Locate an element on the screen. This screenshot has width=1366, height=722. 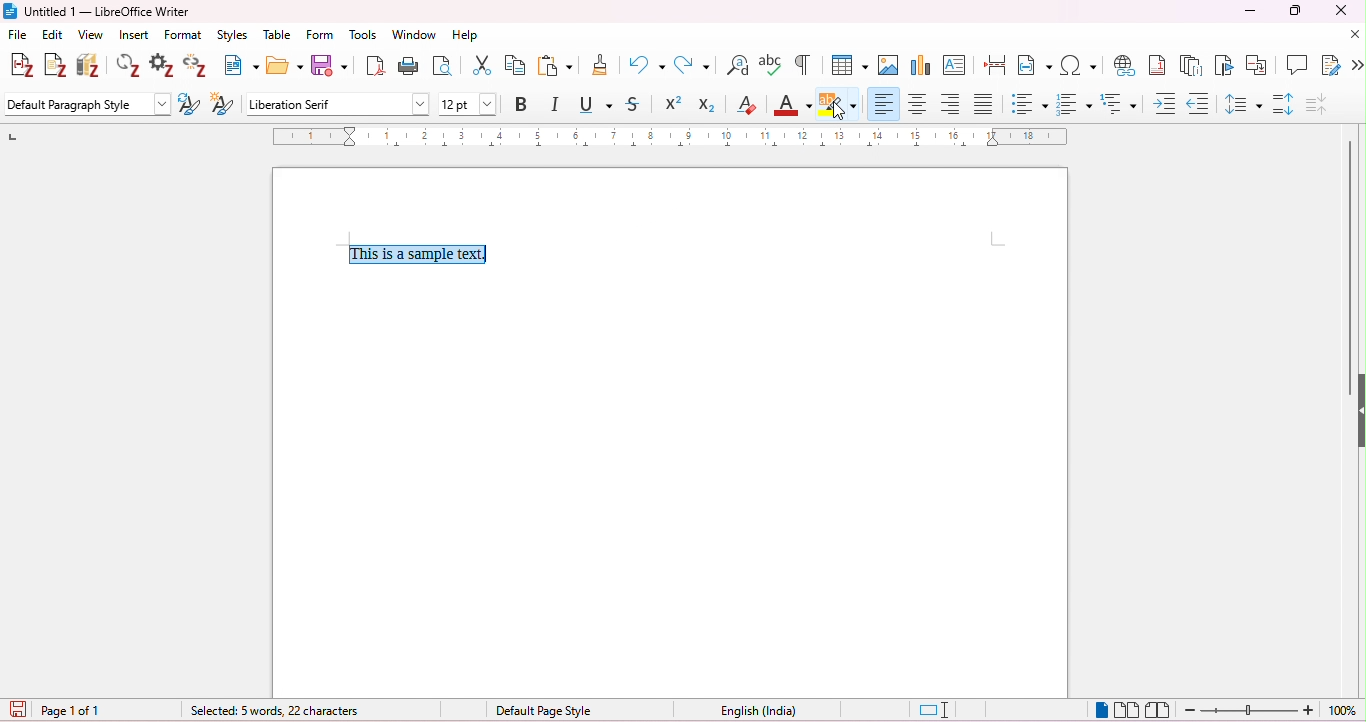
strike through is located at coordinates (633, 104).